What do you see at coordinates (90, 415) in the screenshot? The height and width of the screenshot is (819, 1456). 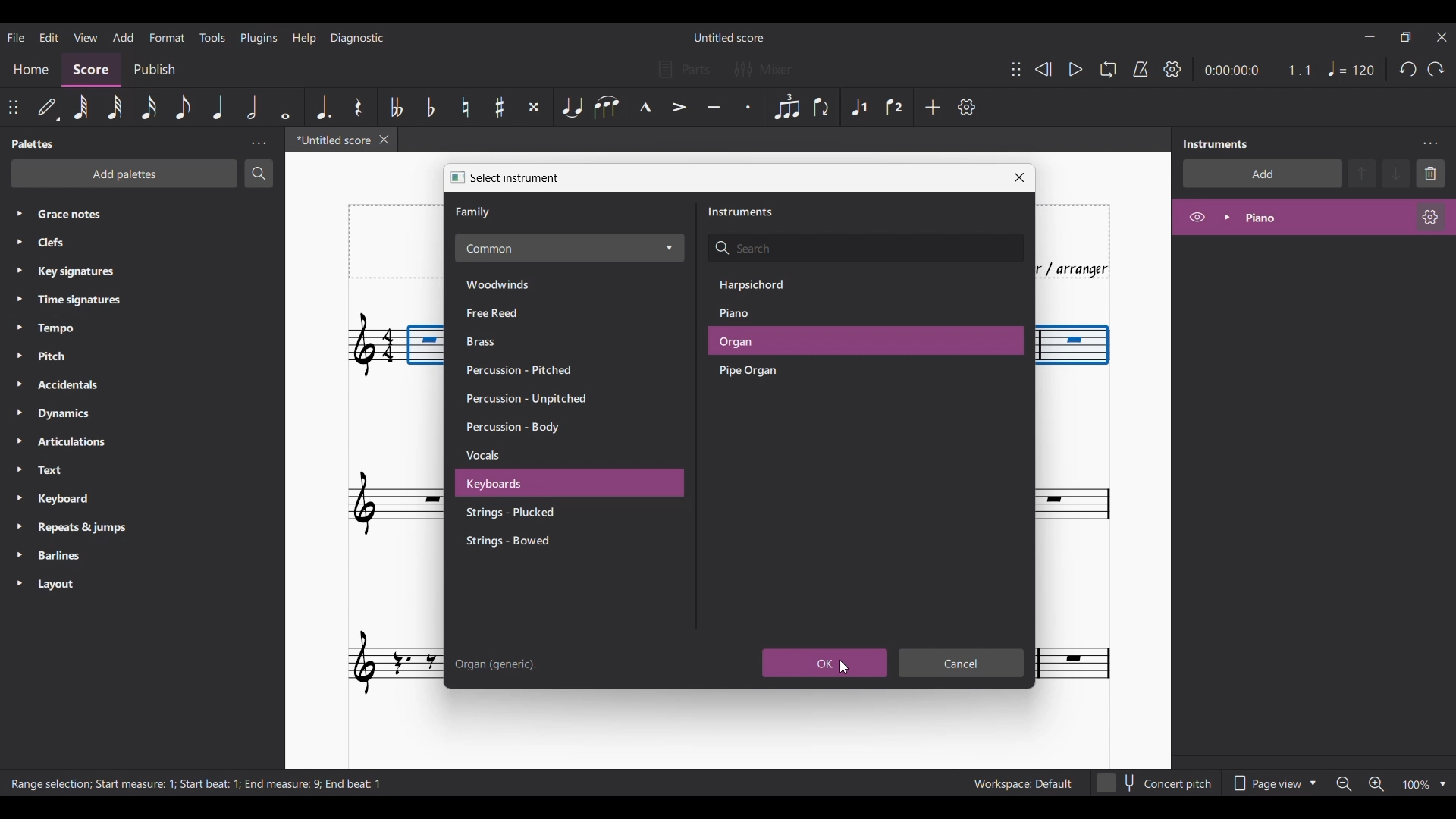 I see `Dynamics` at bounding box center [90, 415].